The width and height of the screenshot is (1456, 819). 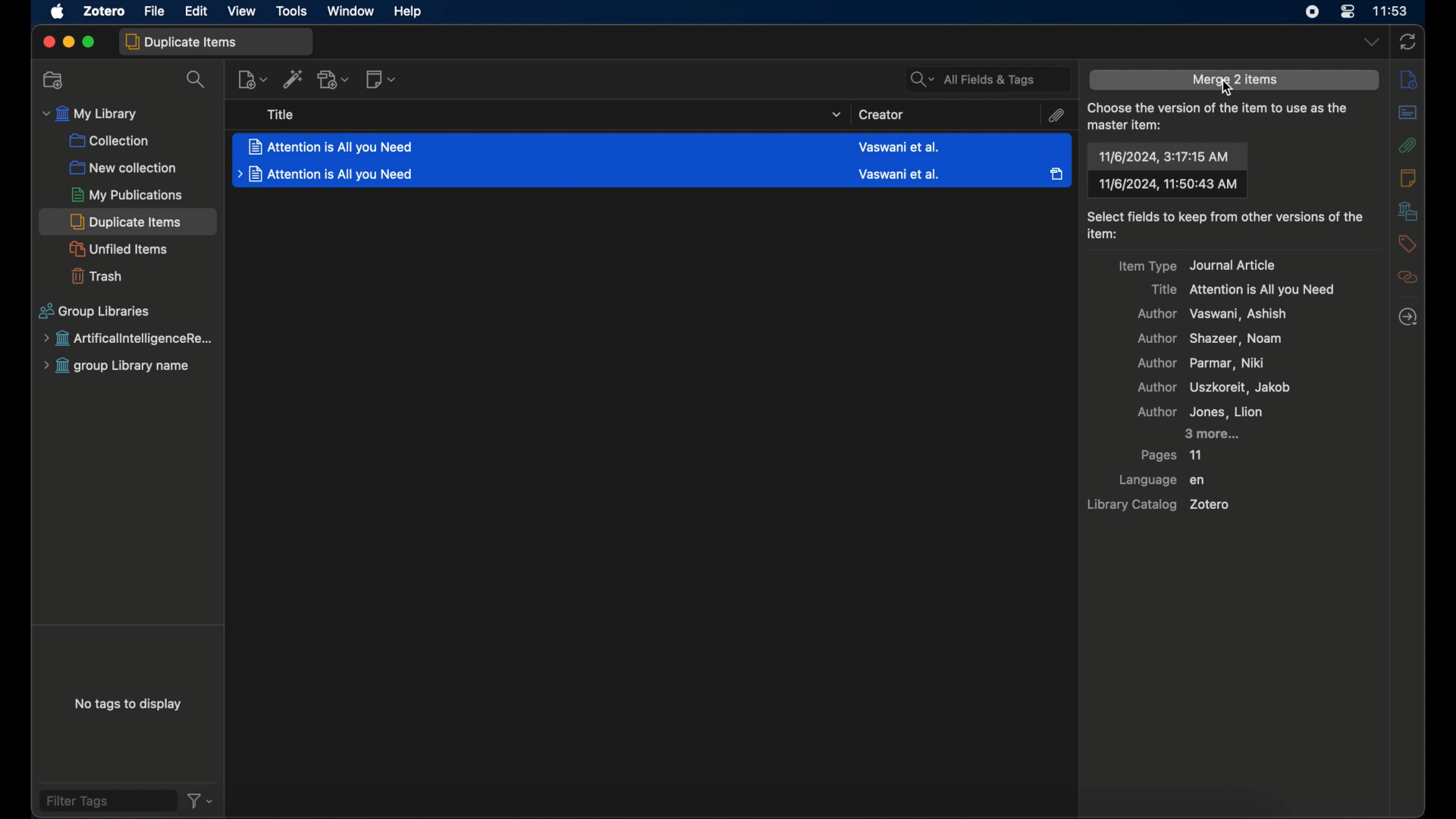 I want to click on author Jone, llion, so click(x=1207, y=411).